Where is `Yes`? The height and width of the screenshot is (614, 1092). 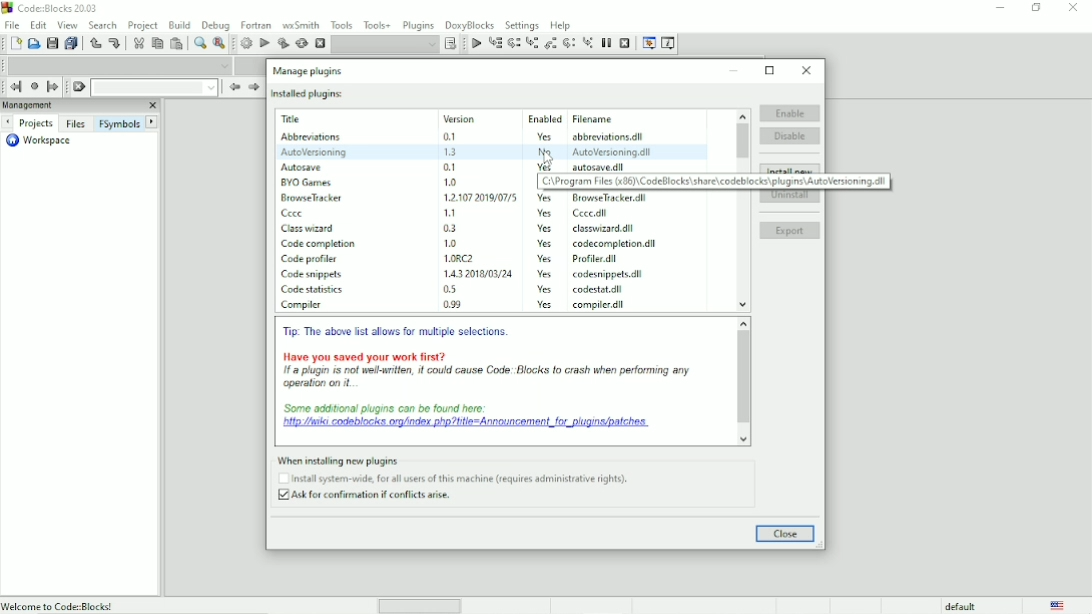 Yes is located at coordinates (545, 228).